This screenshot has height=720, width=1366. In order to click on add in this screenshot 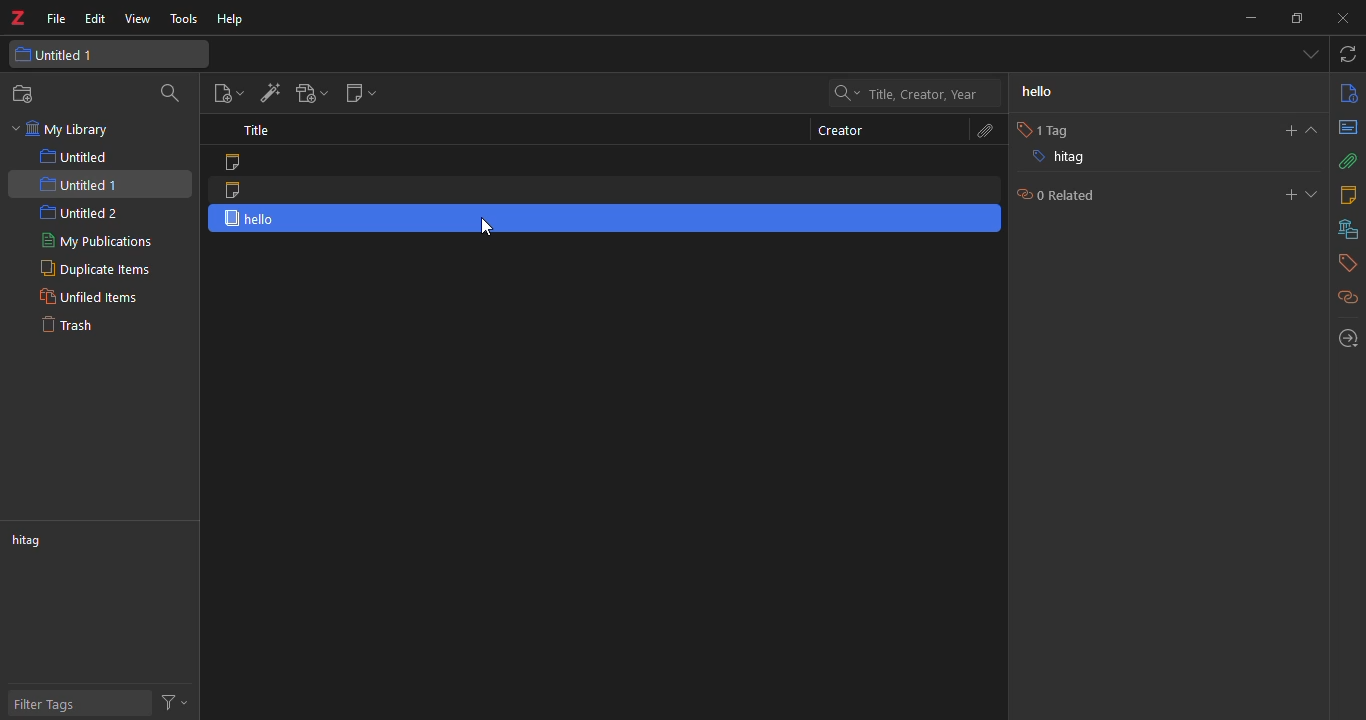, I will do `click(1284, 131)`.